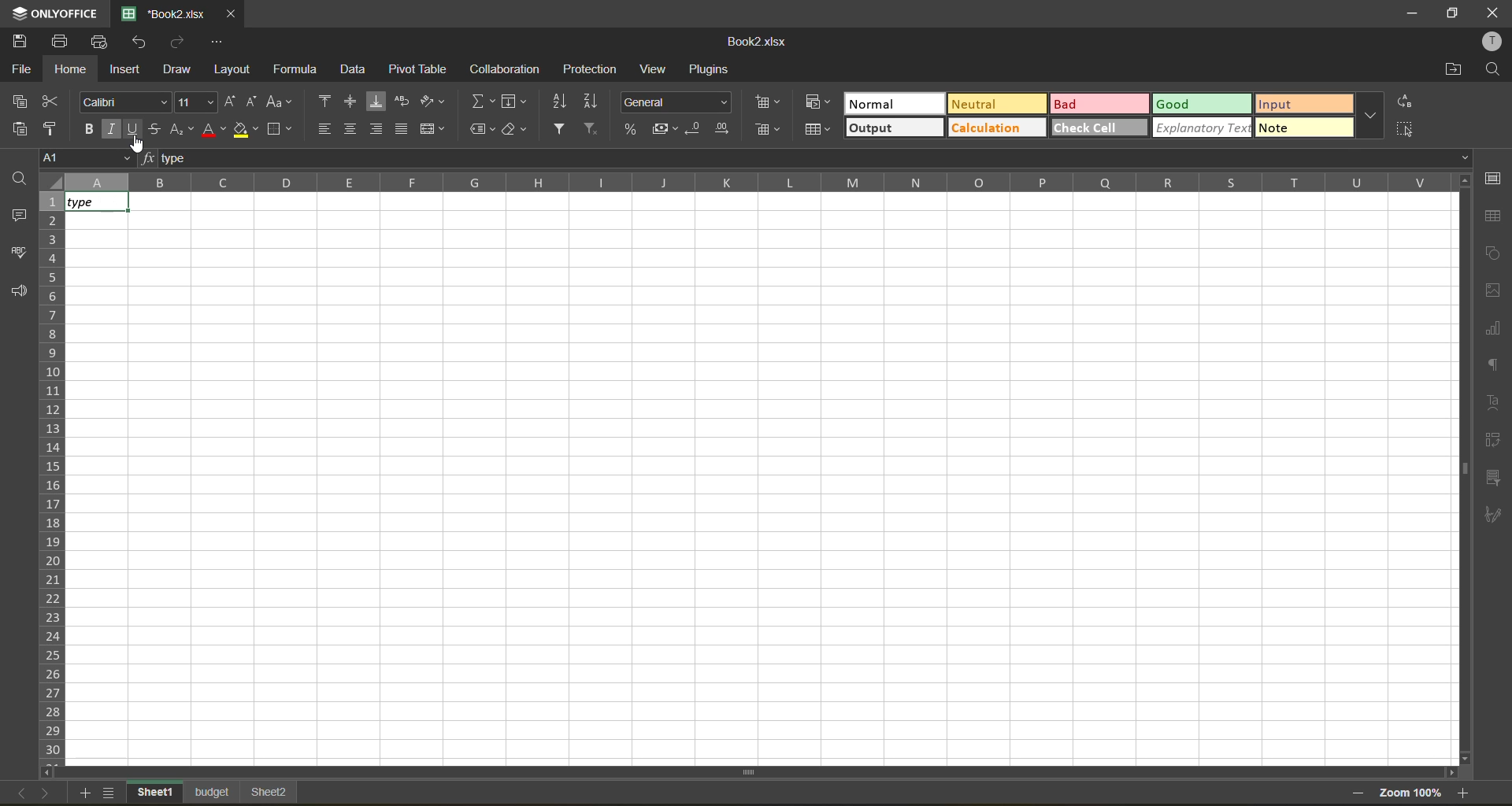 The image size is (1512, 806). Describe the element at coordinates (381, 104) in the screenshot. I see `align bottom` at that location.